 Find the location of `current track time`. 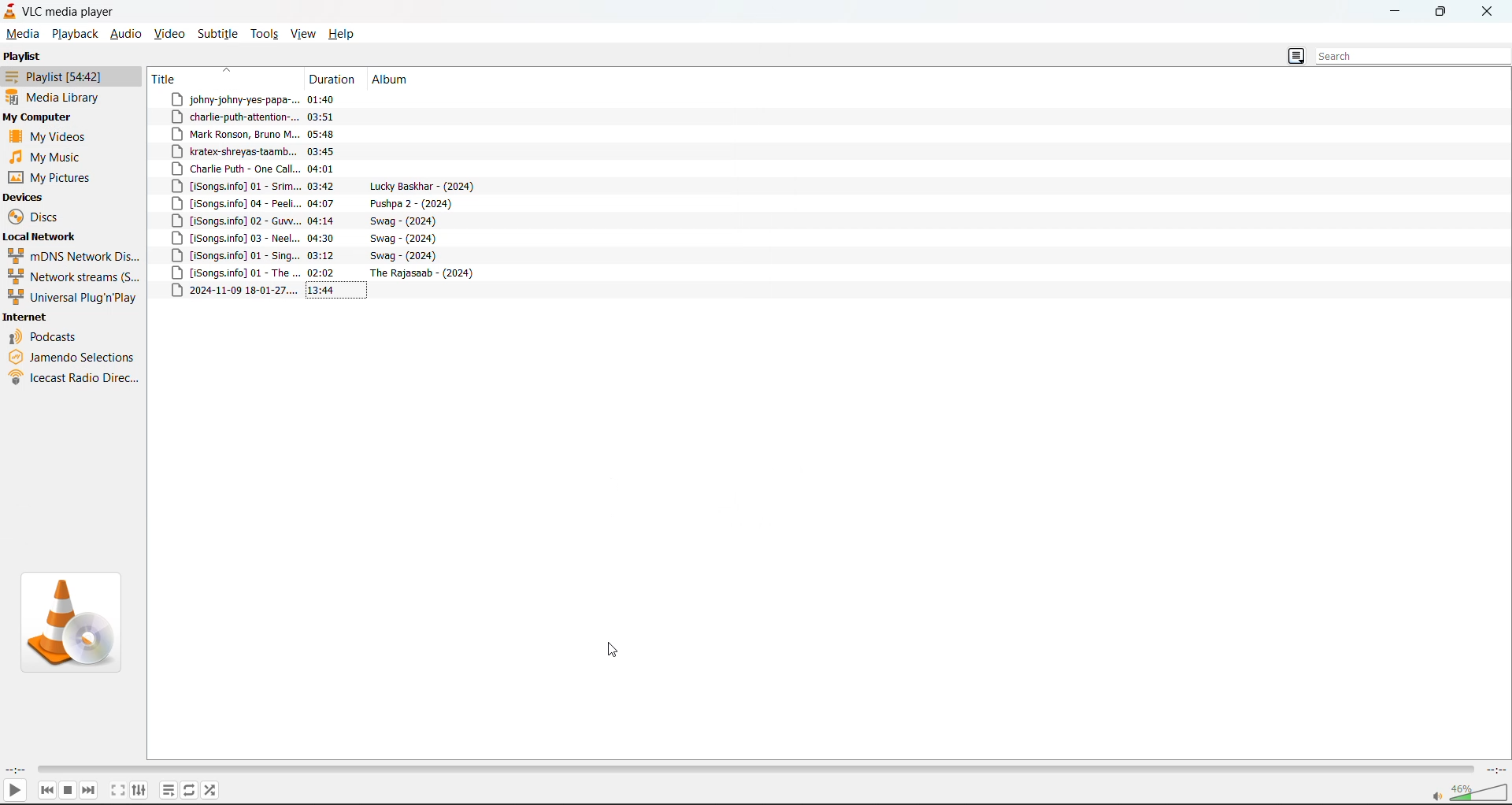

current track time is located at coordinates (16, 770).